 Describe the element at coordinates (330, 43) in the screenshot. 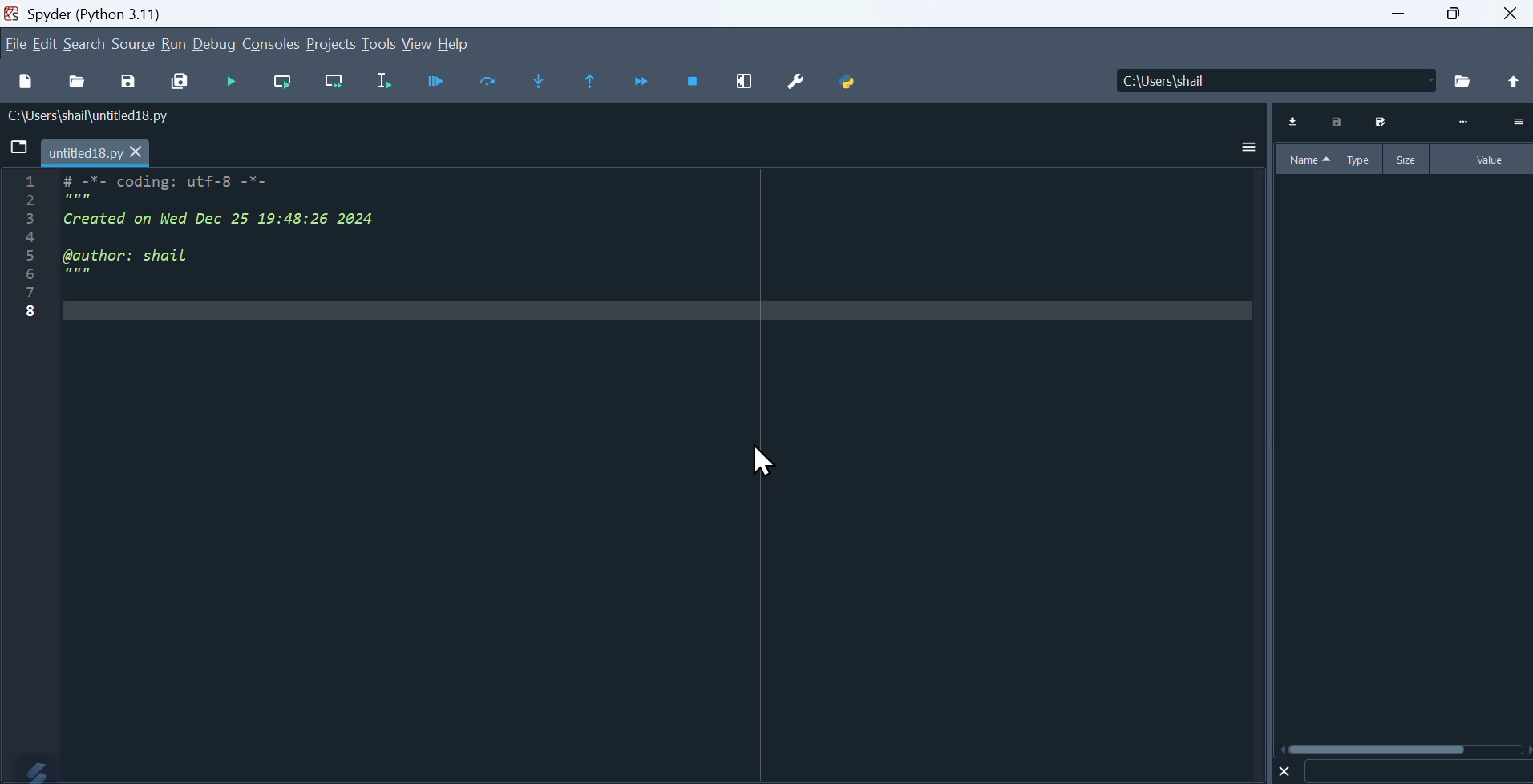

I see `Project` at that location.